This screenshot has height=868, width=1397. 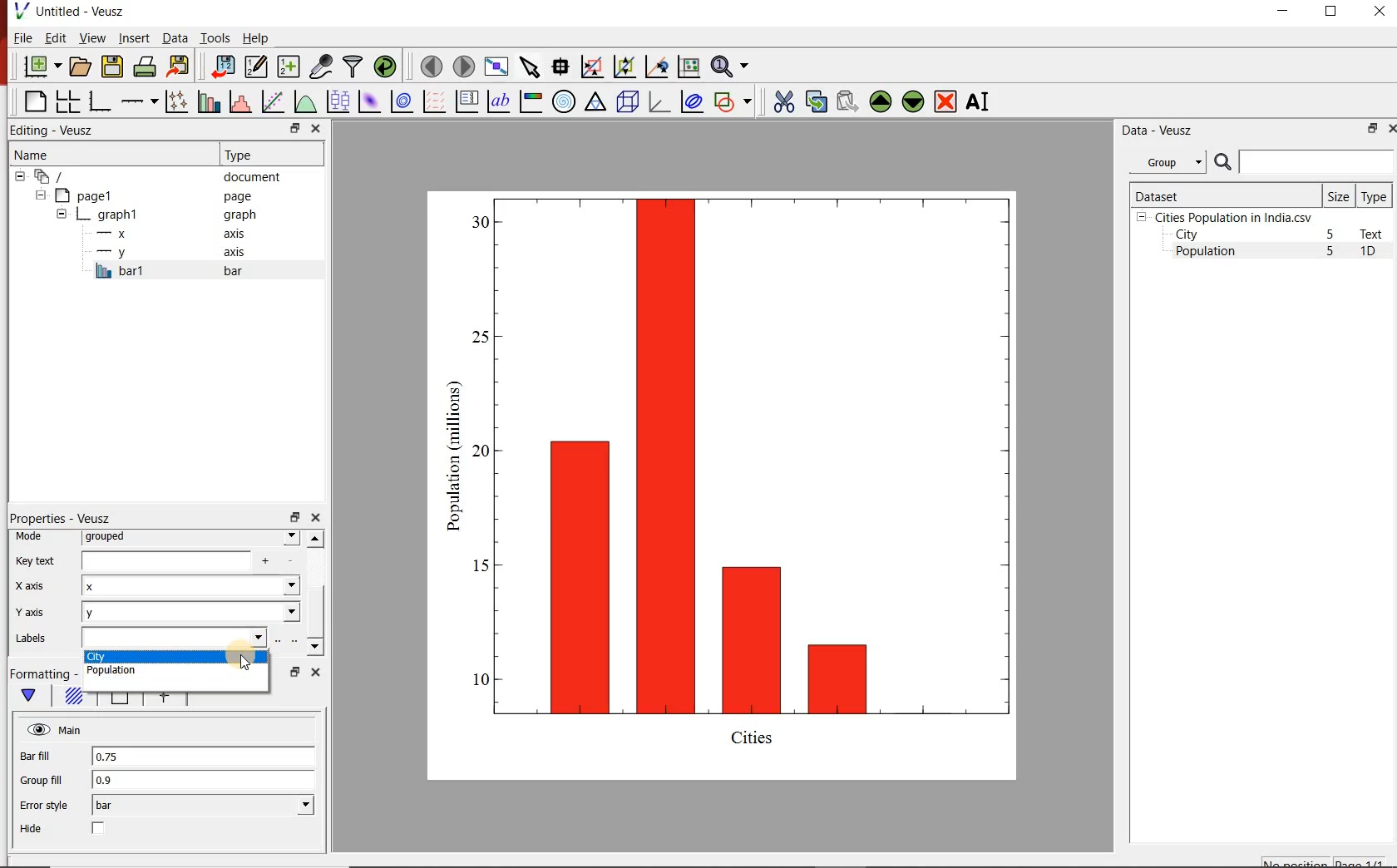 What do you see at coordinates (564, 101) in the screenshot?
I see `polar graph` at bounding box center [564, 101].